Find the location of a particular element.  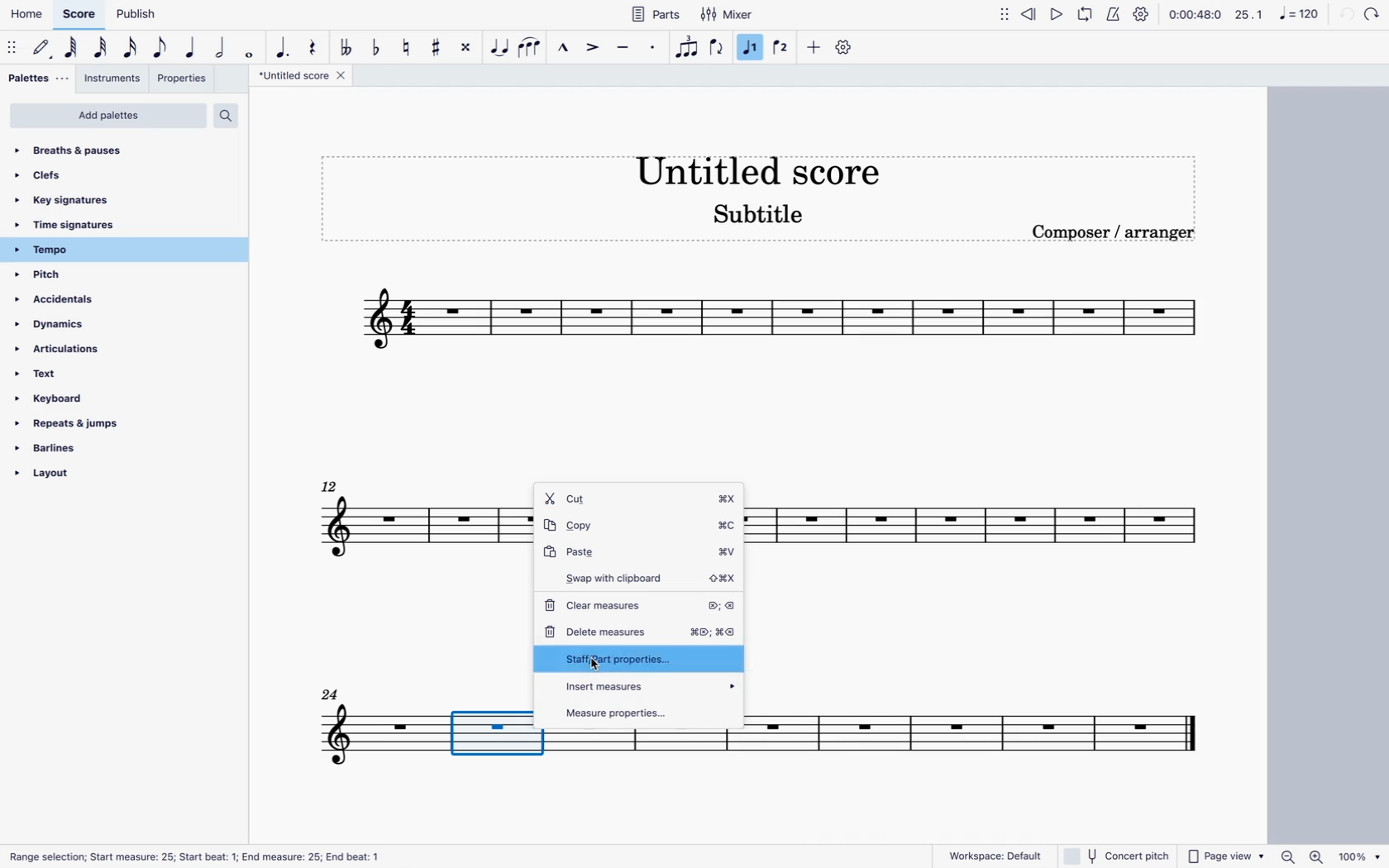

Zoom in is located at coordinates (1318, 856).